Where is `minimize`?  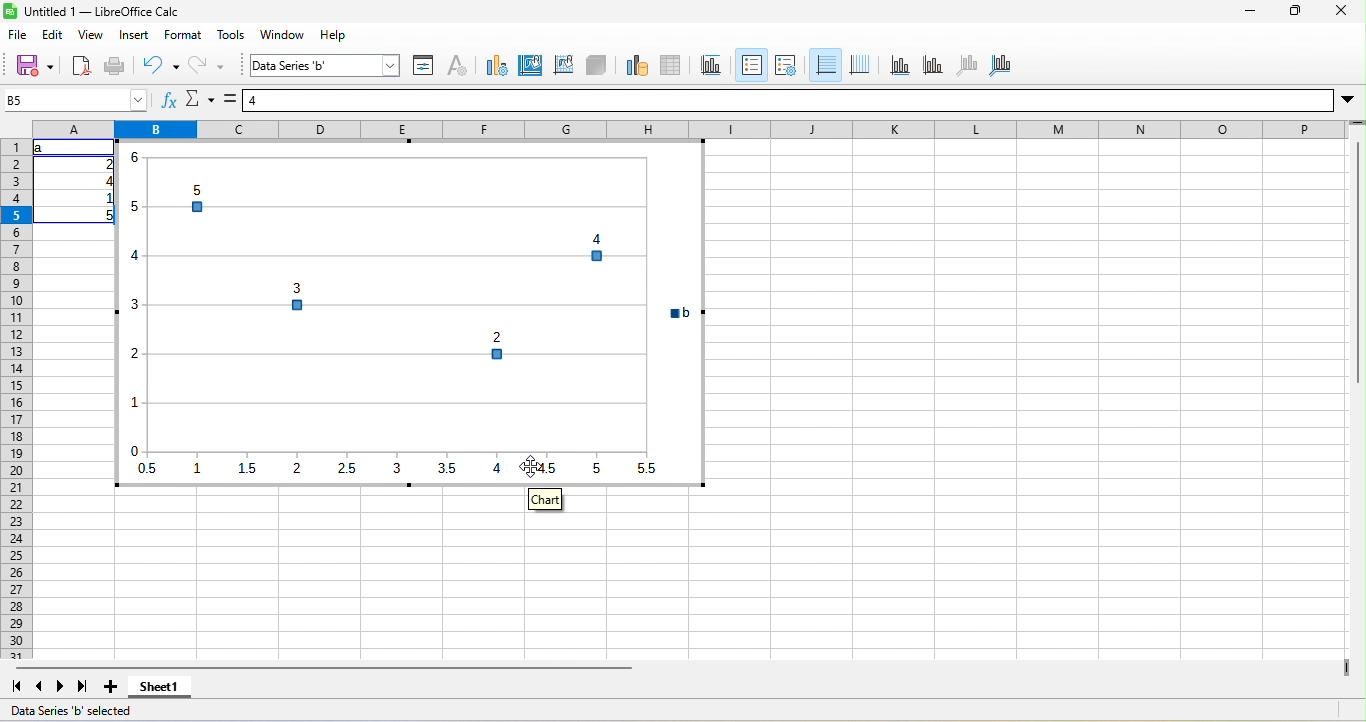 minimize is located at coordinates (1250, 11).